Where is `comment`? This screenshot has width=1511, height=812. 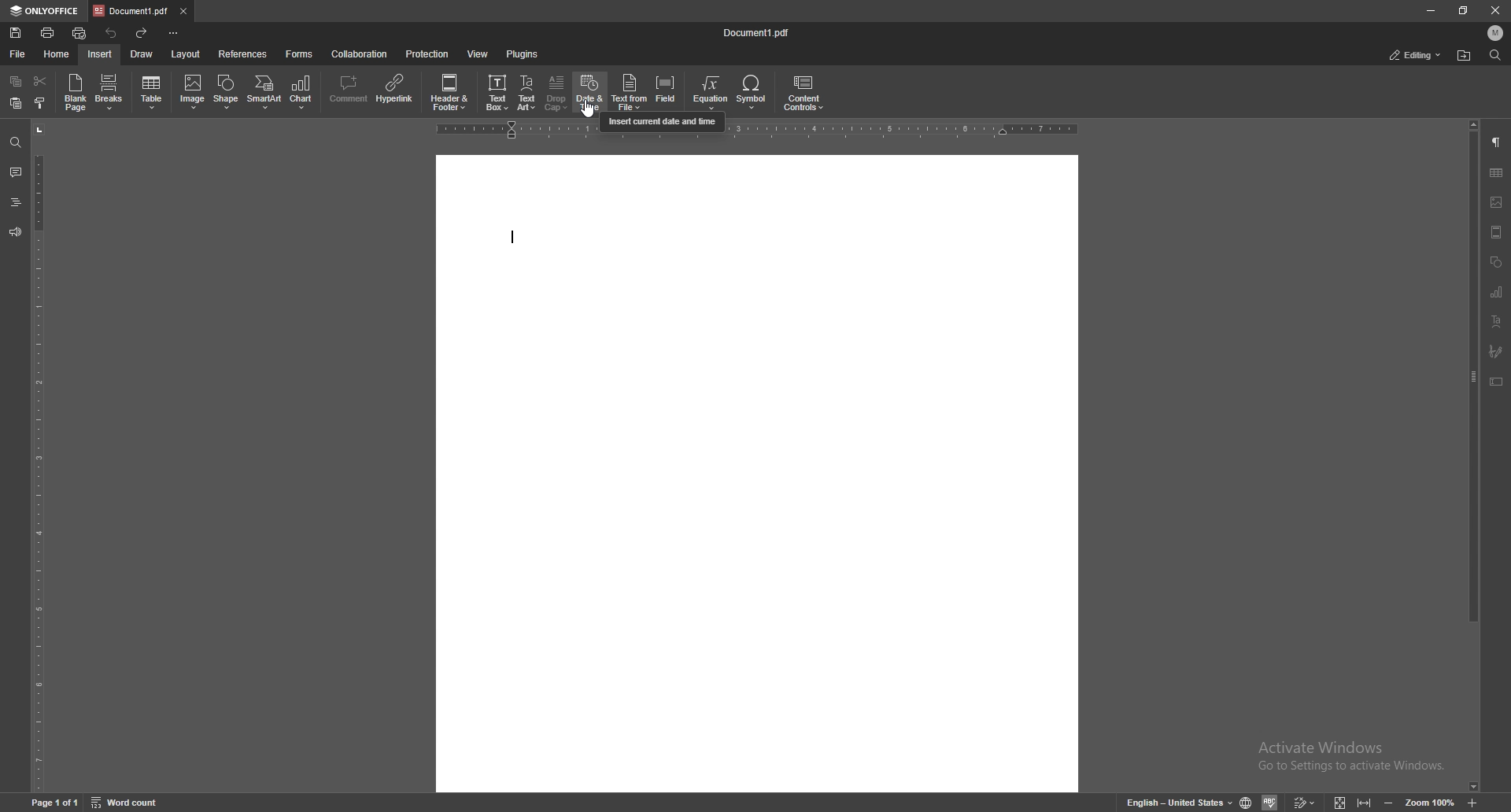 comment is located at coordinates (348, 90).